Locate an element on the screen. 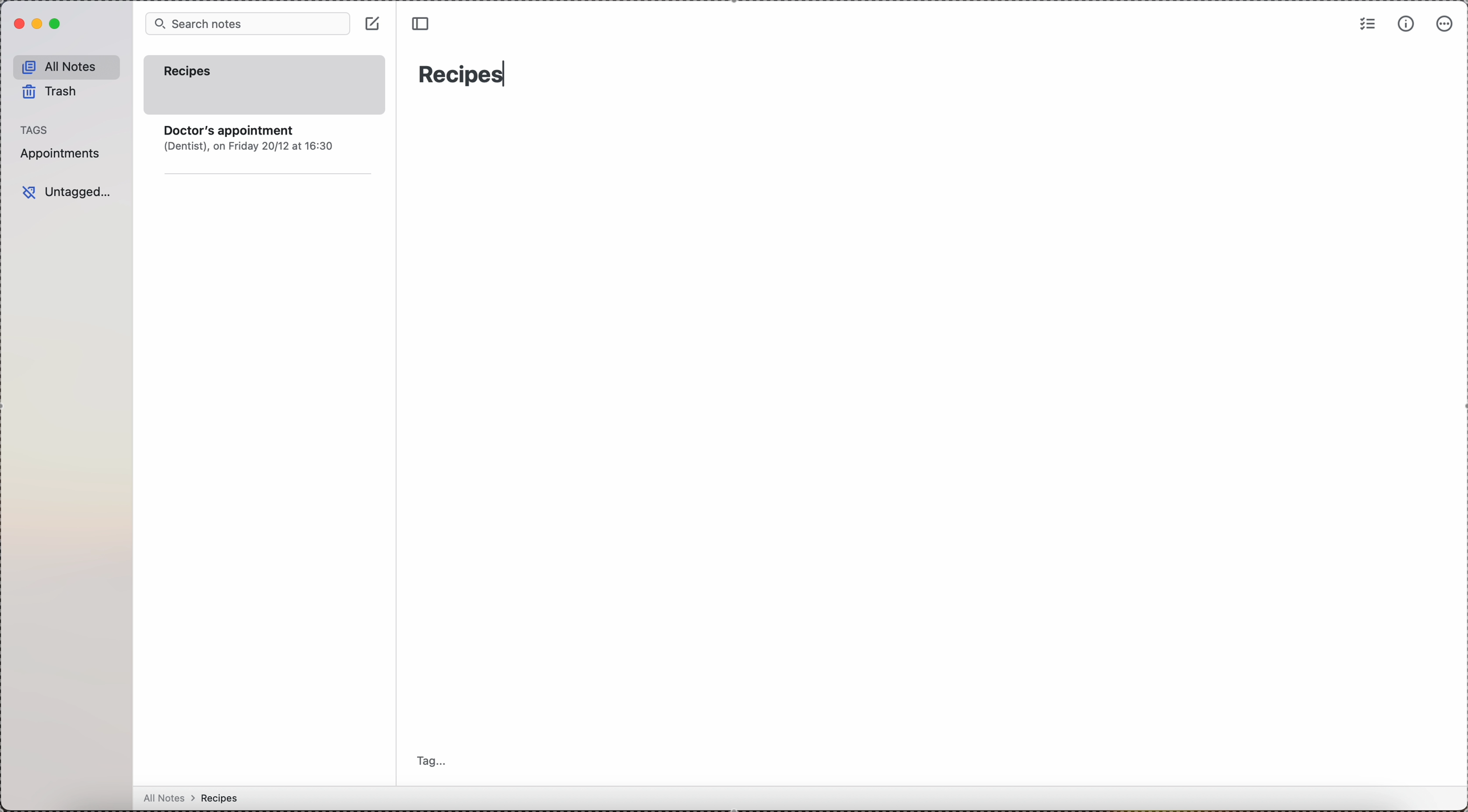 The height and width of the screenshot is (812, 1468). all notes is located at coordinates (229, 798).